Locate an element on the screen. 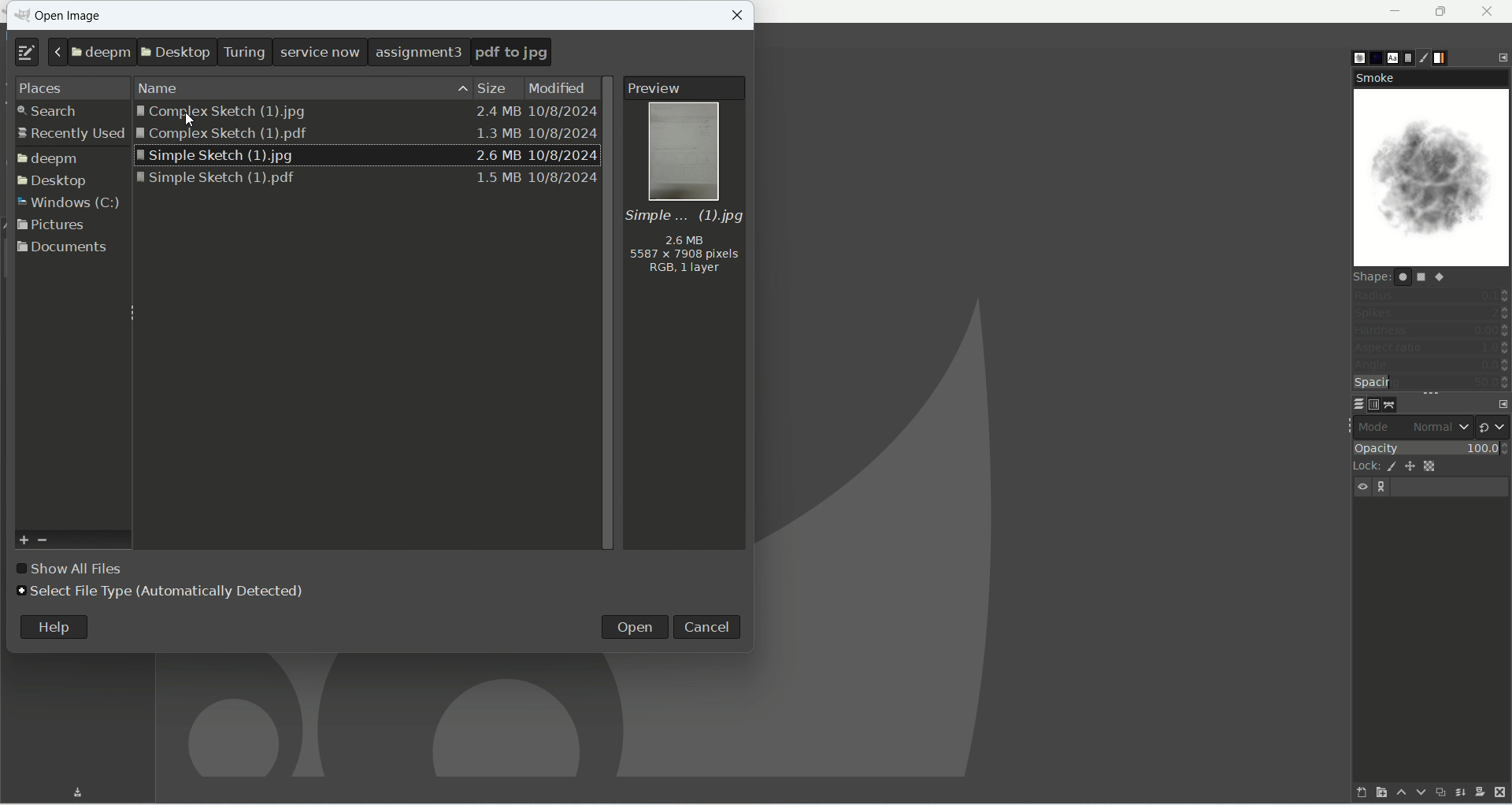 The width and height of the screenshot is (1512, 805). 100 is located at coordinates (1481, 449).